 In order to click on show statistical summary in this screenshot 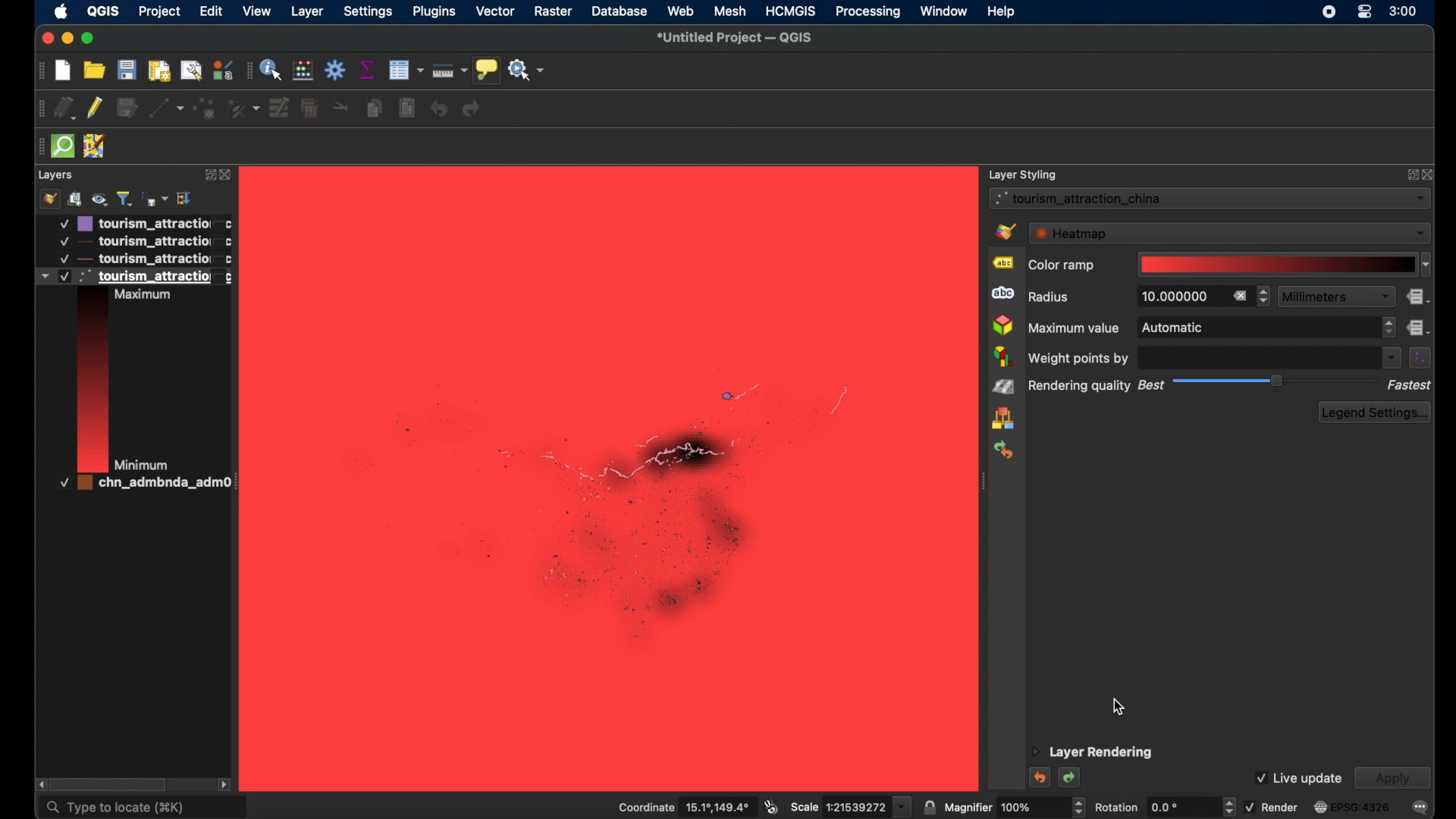, I will do `click(368, 69)`.